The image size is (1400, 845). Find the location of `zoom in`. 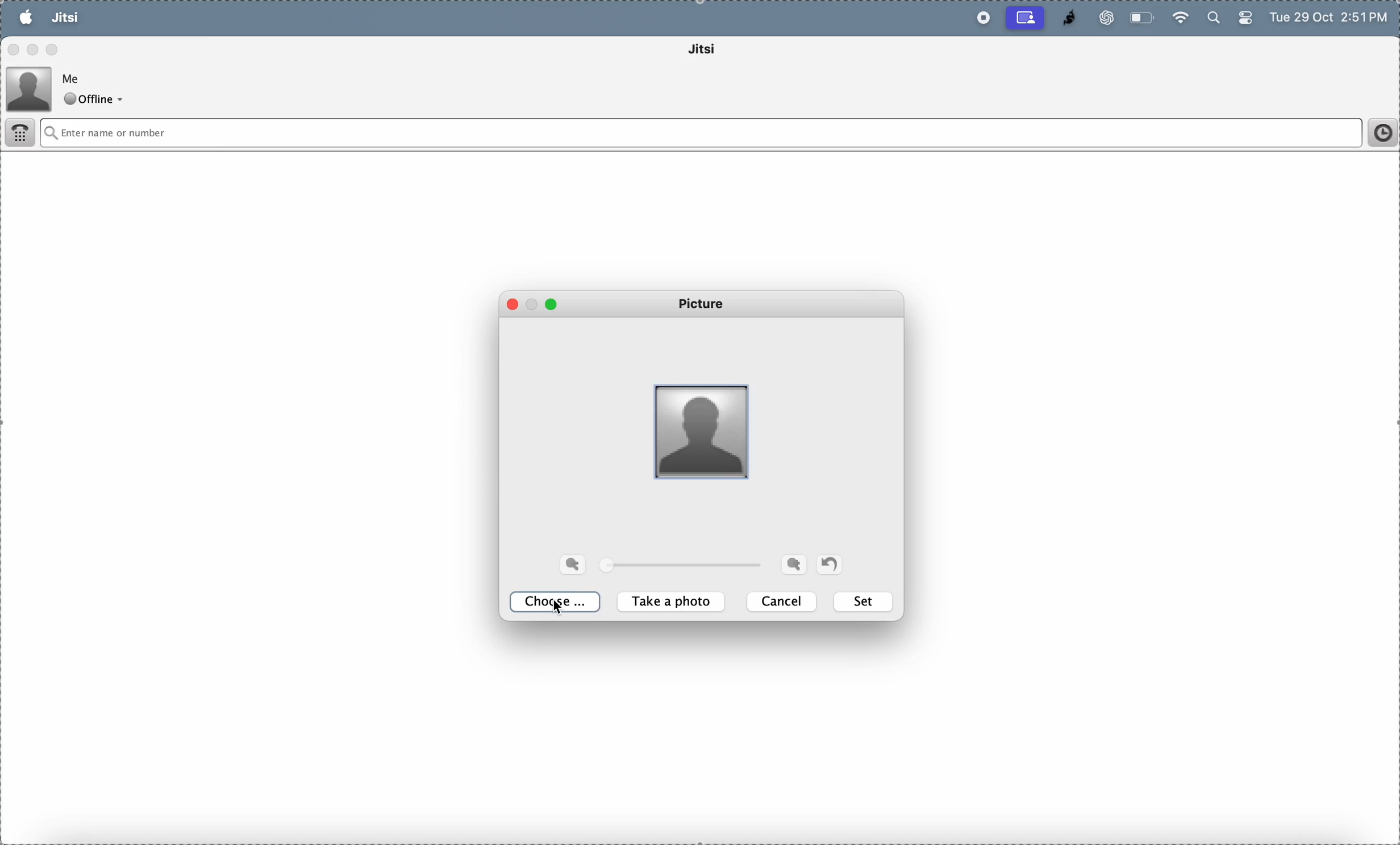

zoom in is located at coordinates (575, 564).